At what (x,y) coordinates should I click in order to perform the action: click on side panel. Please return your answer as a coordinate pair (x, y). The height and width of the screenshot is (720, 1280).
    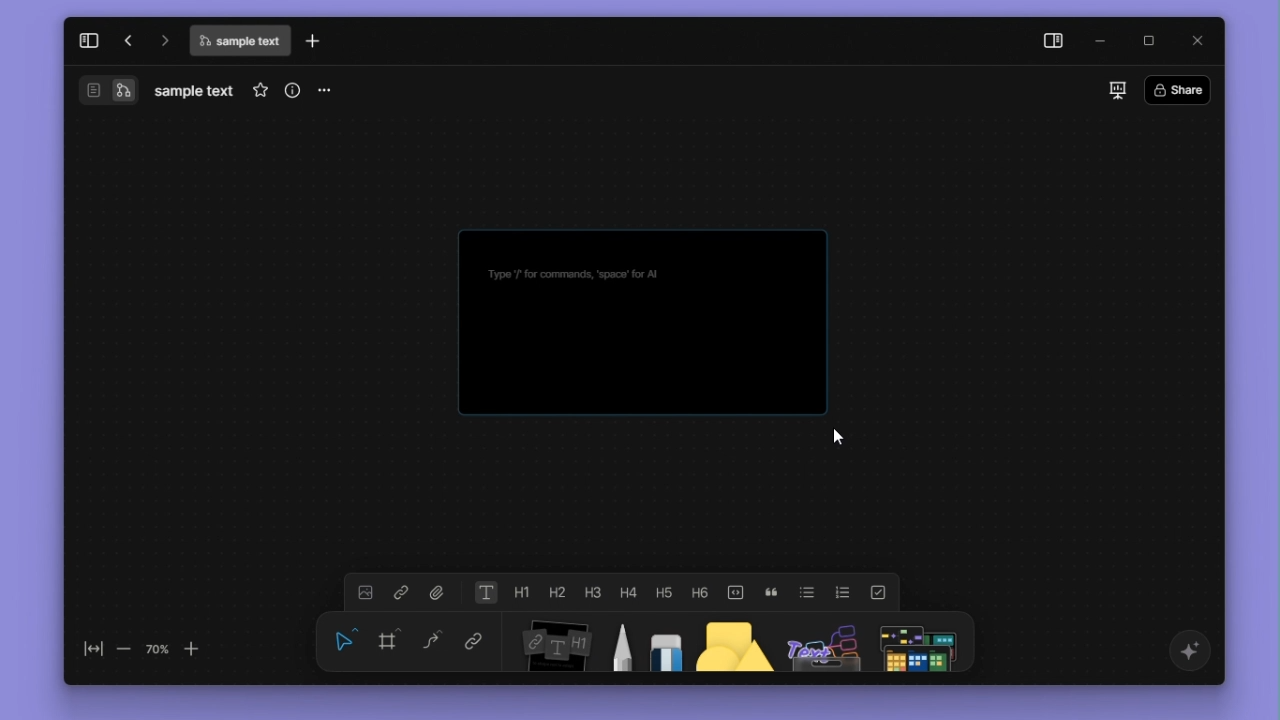
    Looking at the image, I should click on (1050, 41).